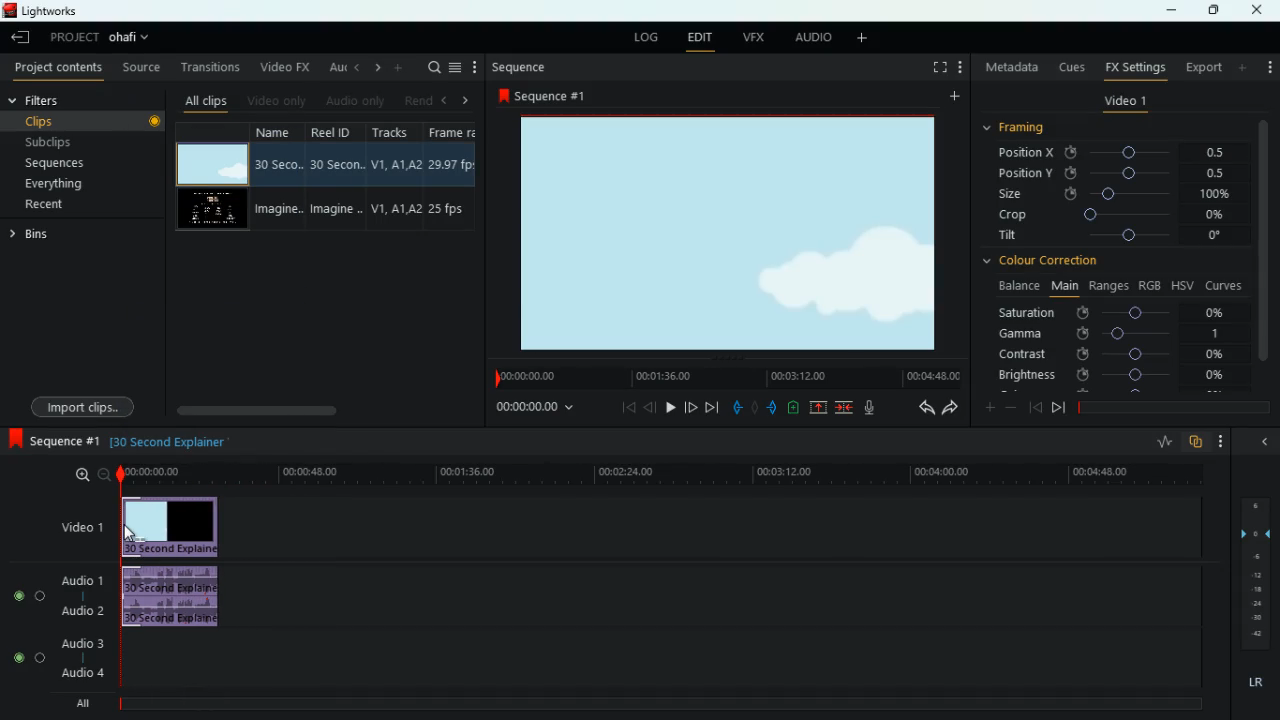 Image resolution: width=1280 pixels, height=720 pixels. What do you see at coordinates (642, 40) in the screenshot?
I see `log` at bounding box center [642, 40].